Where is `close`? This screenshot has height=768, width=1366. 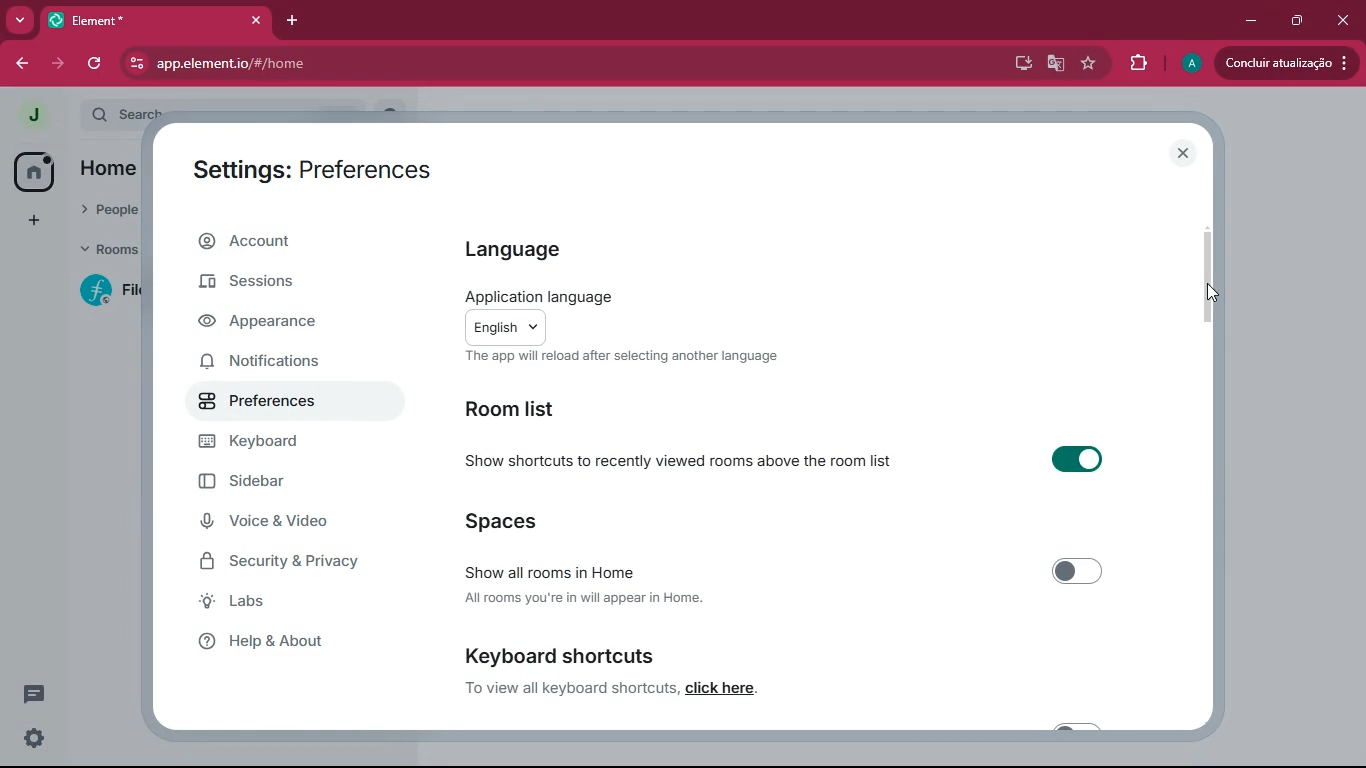
close is located at coordinates (1183, 153).